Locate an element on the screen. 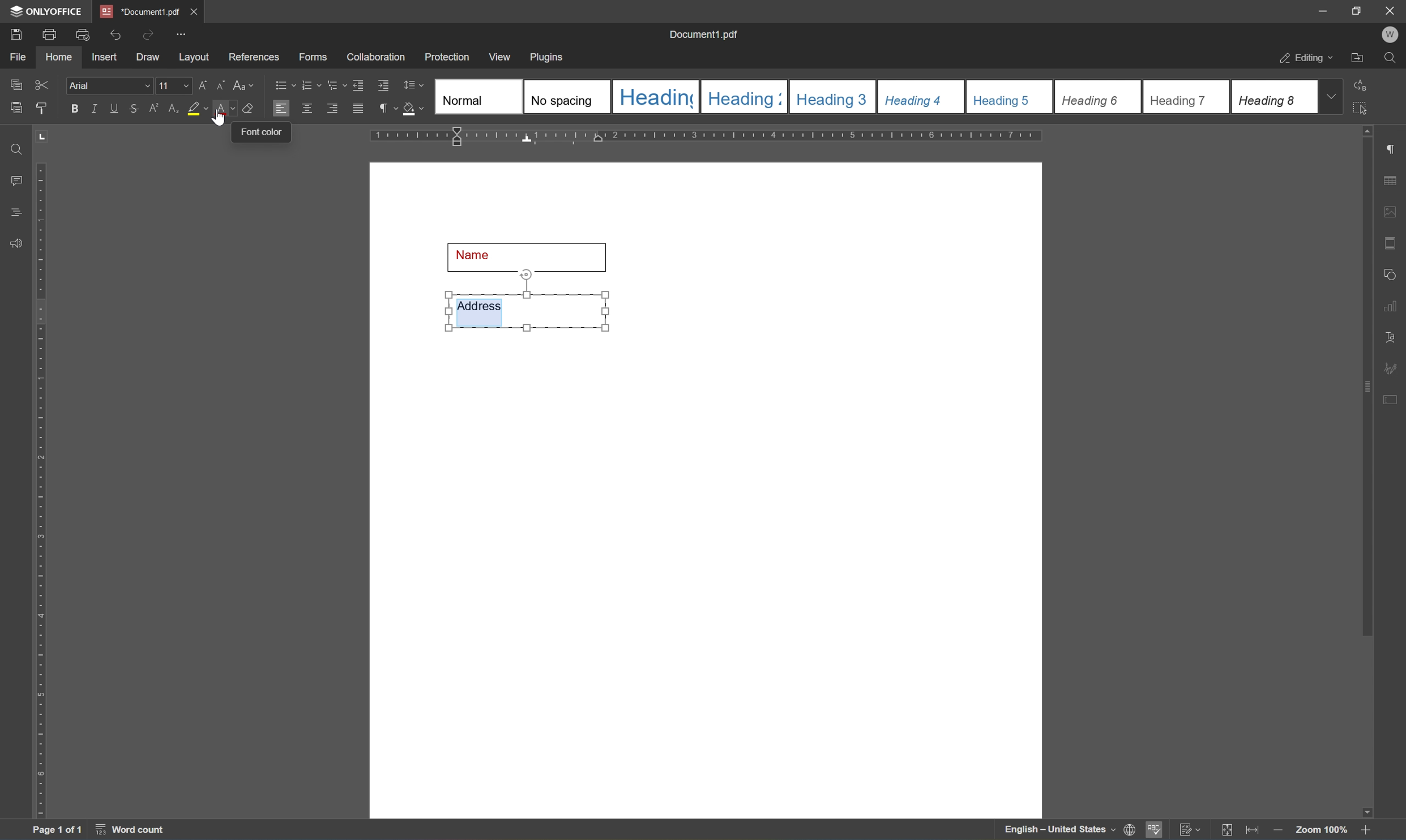  decrease indent is located at coordinates (358, 84).